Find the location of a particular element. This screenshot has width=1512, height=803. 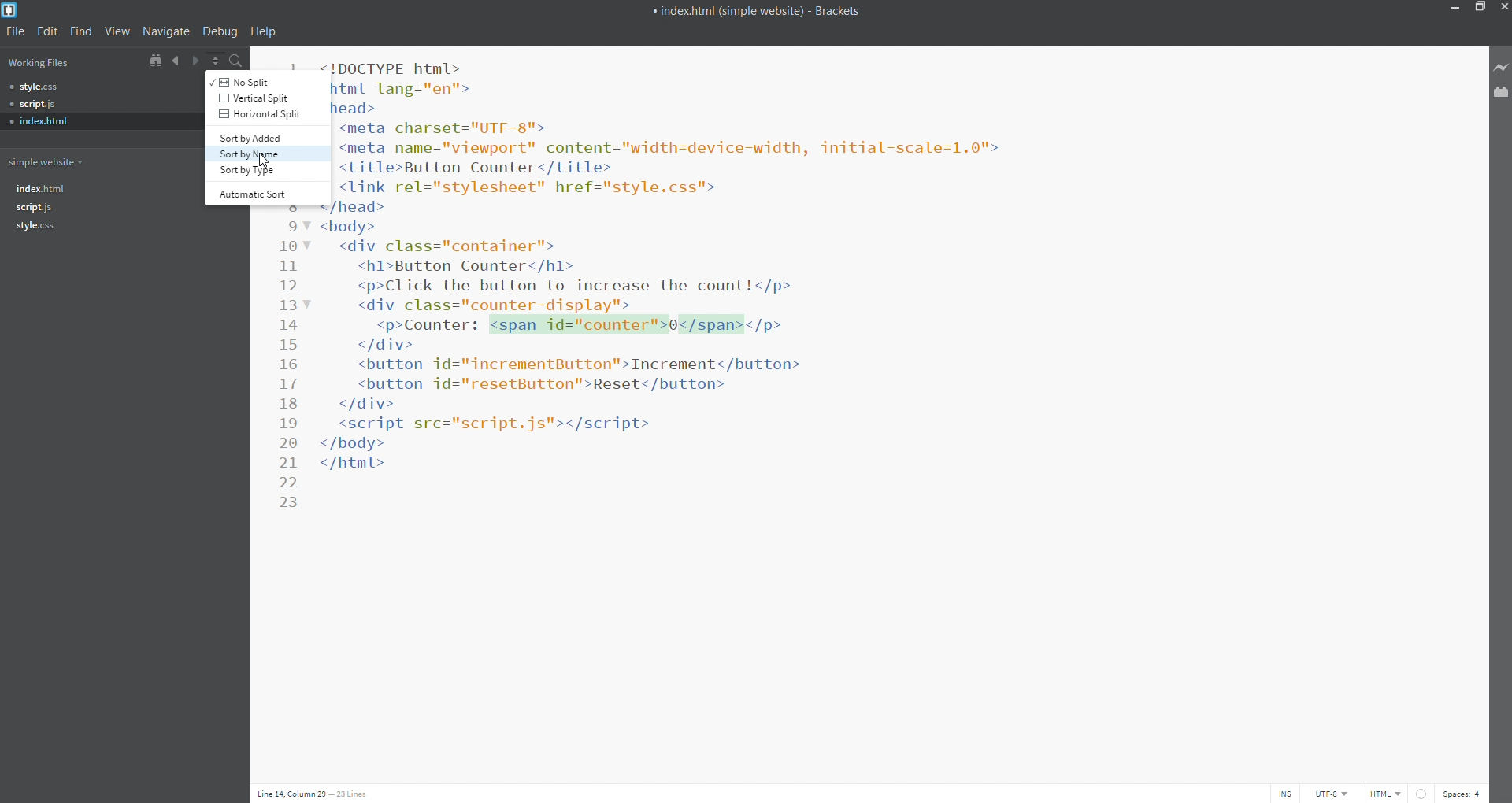

help is located at coordinates (263, 33).